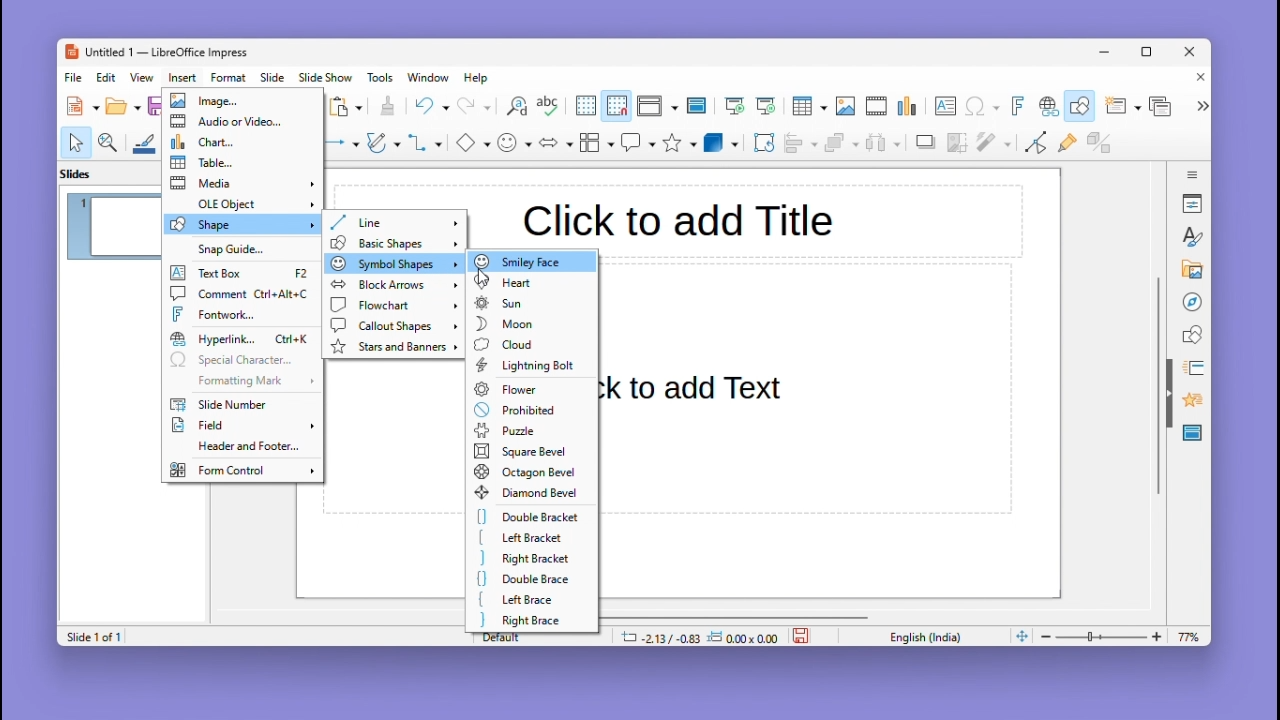 Image resolution: width=1280 pixels, height=720 pixels. What do you see at coordinates (394, 222) in the screenshot?
I see `Line` at bounding box center [394, 222].